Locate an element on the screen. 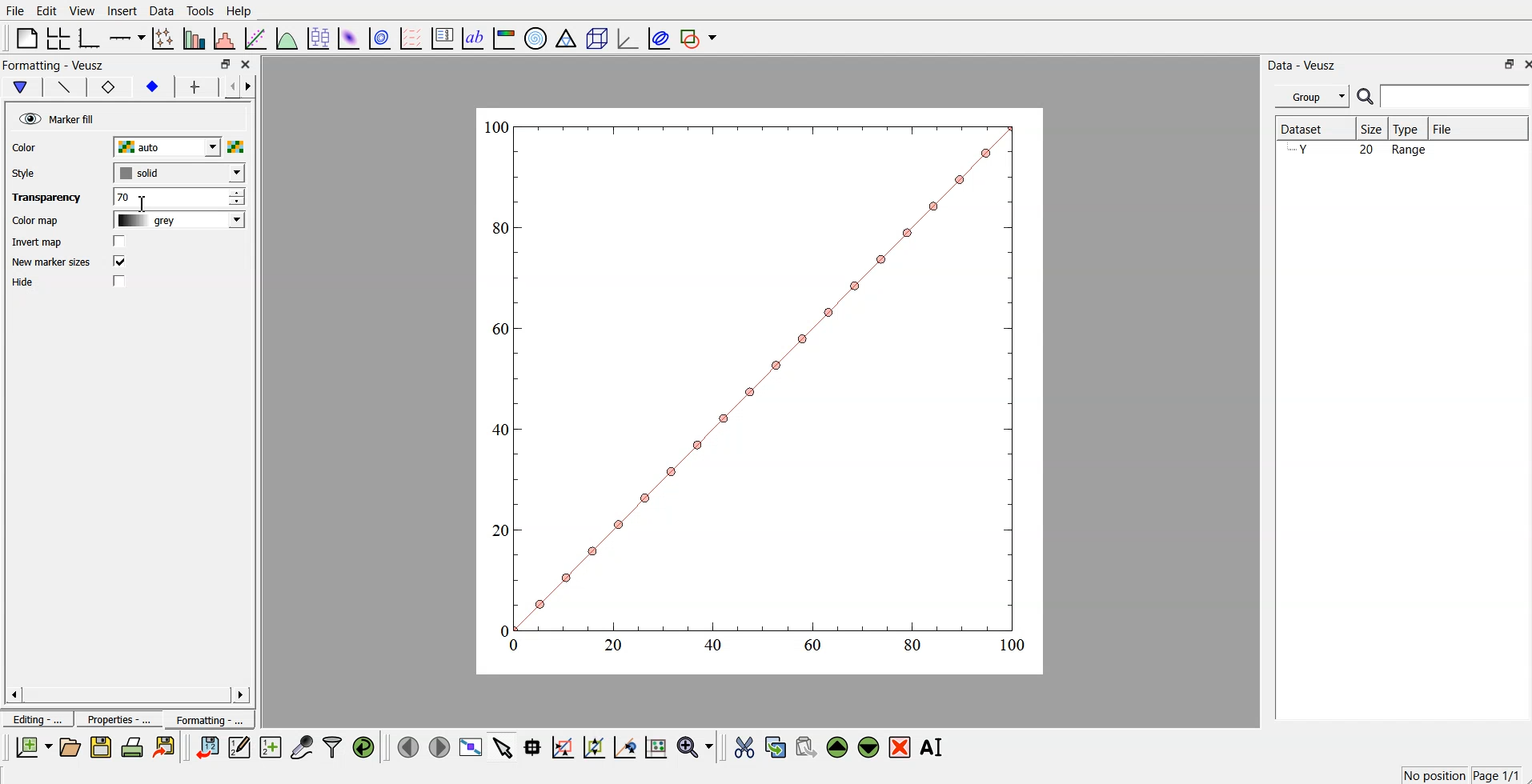  create new dataset is located at coordinates (270, 745).